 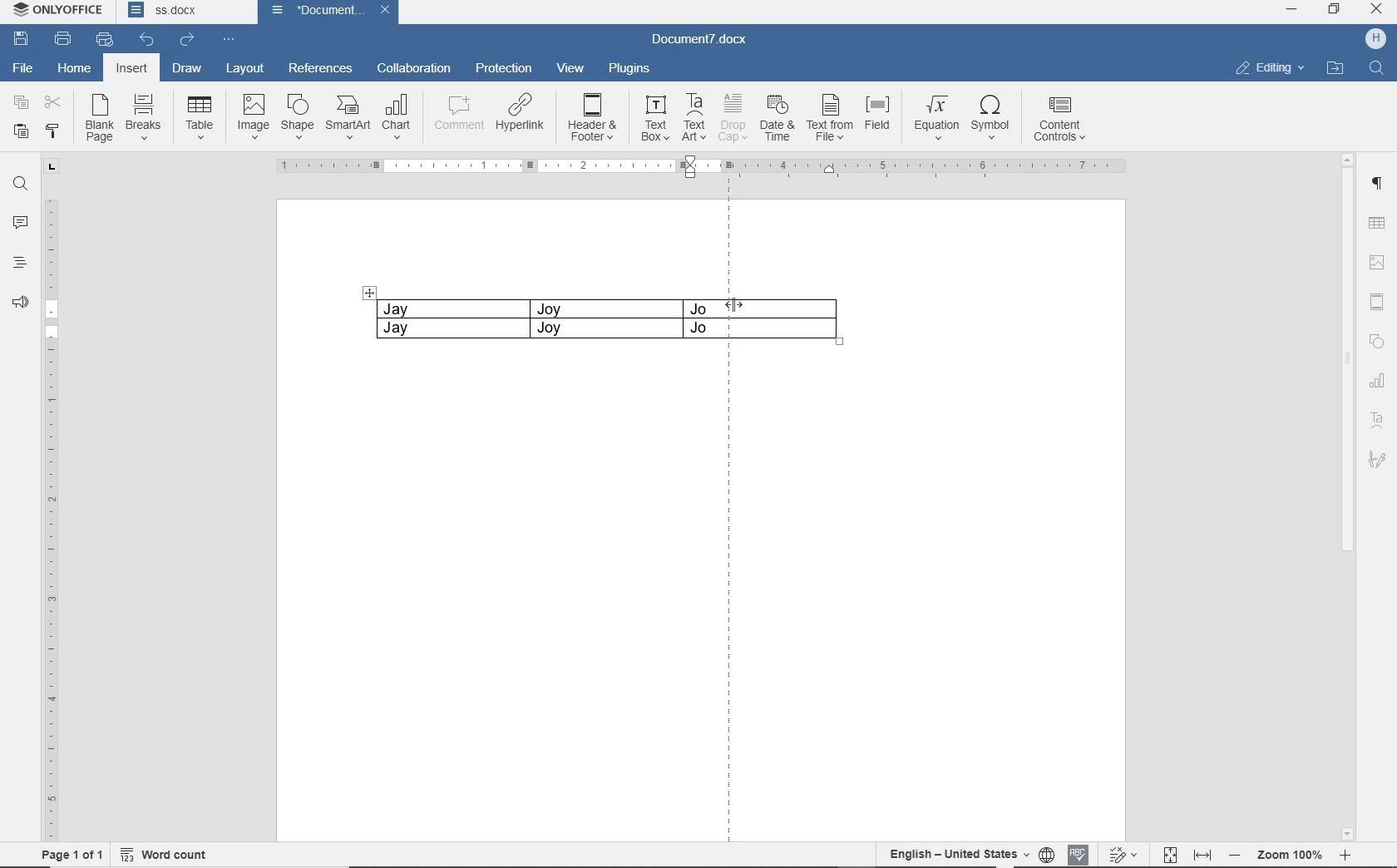 I want to click on FIT TO WIDTH, so click(x=1202, y=852).